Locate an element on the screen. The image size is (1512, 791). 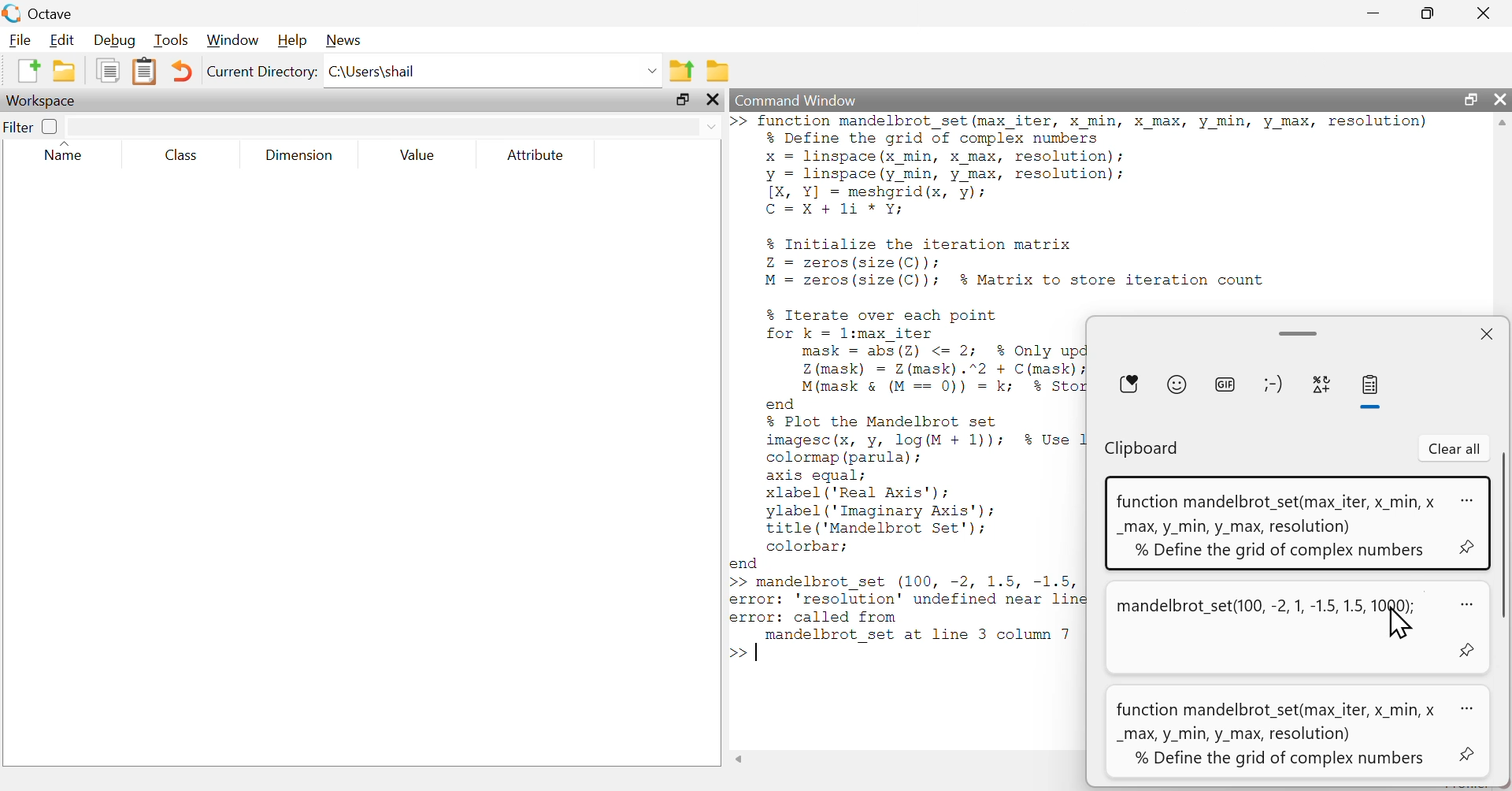
GIF is located at coordinates (1224, 384).